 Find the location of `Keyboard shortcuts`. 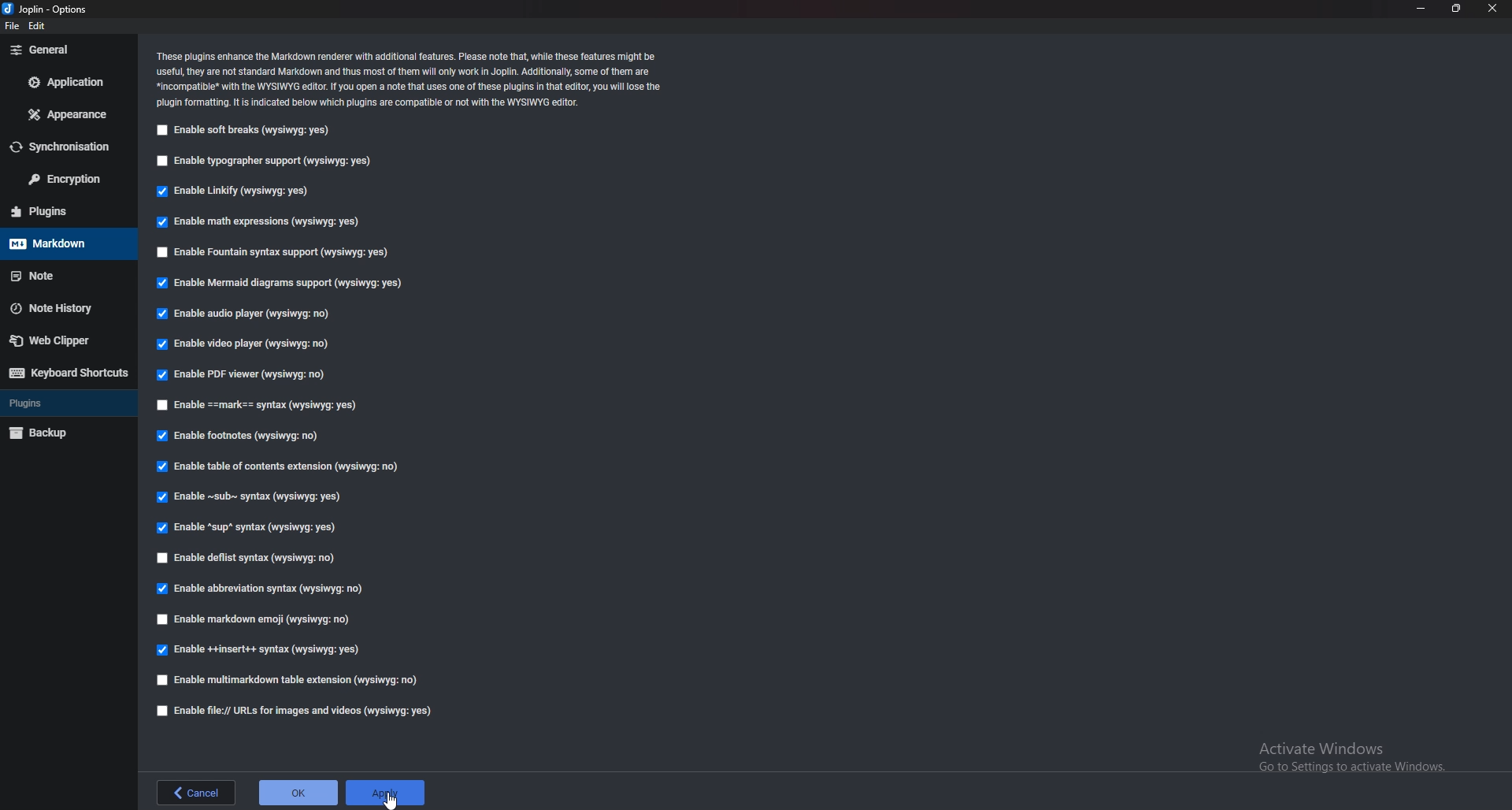

Keyboard shortcuts is located at coordinates (69, 373).